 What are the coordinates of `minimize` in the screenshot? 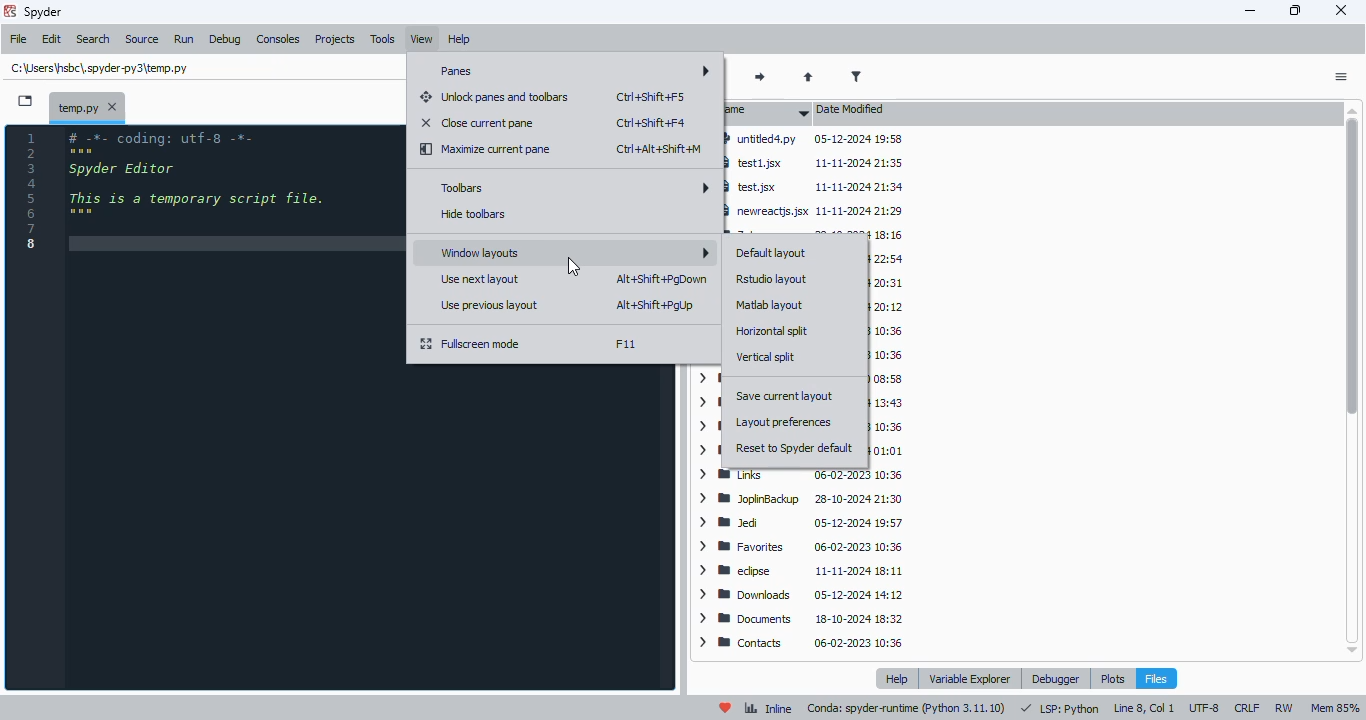 It's located at (1249, 11).